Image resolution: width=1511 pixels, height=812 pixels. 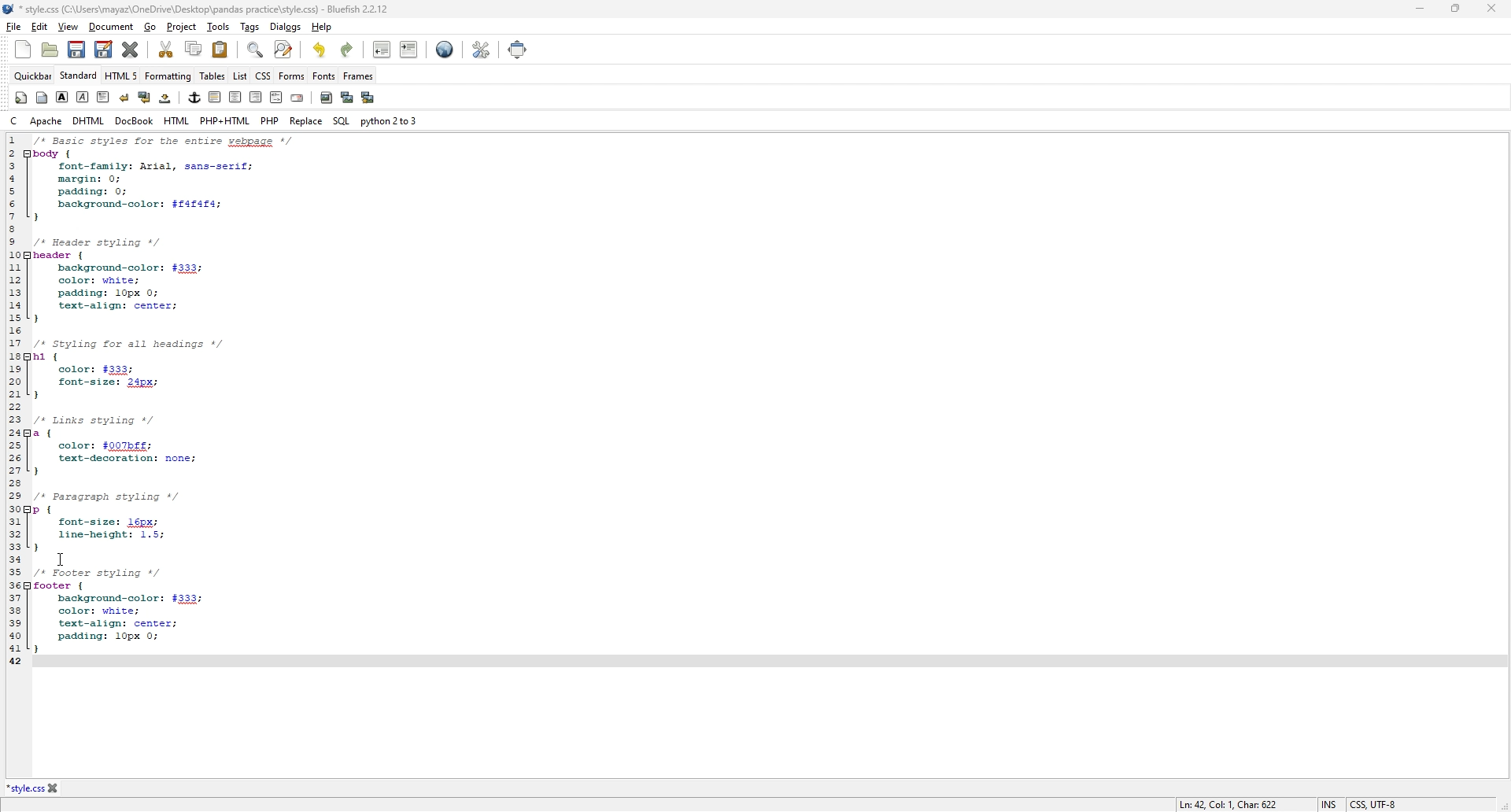 What do you see at coordinates (276, 98) in the screenshot?
I see `html comment` at bounding box center [276, 98].